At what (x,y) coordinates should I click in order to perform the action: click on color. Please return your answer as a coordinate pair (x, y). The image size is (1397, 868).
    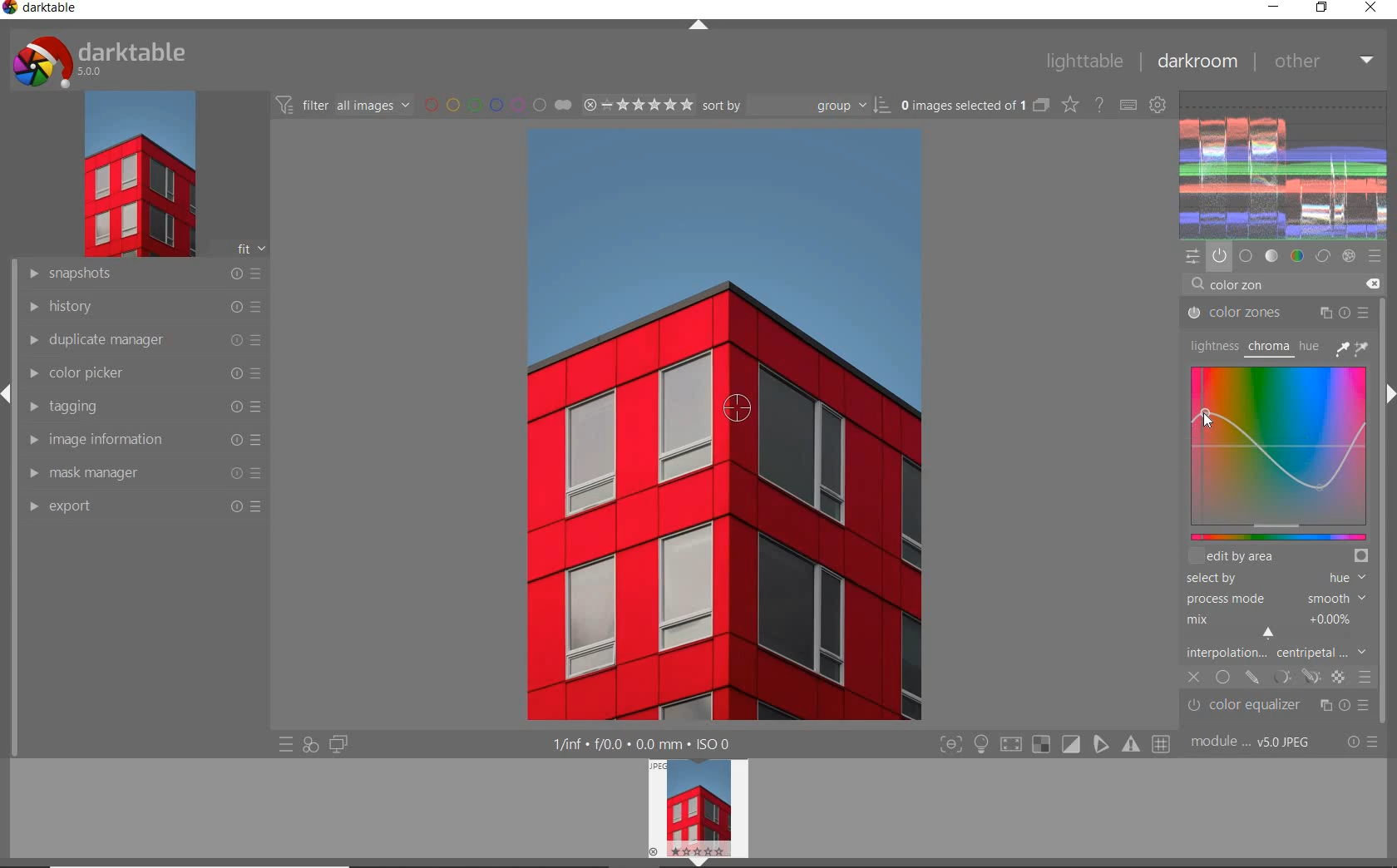
    Looking at the image, I should click on (1296, 256).